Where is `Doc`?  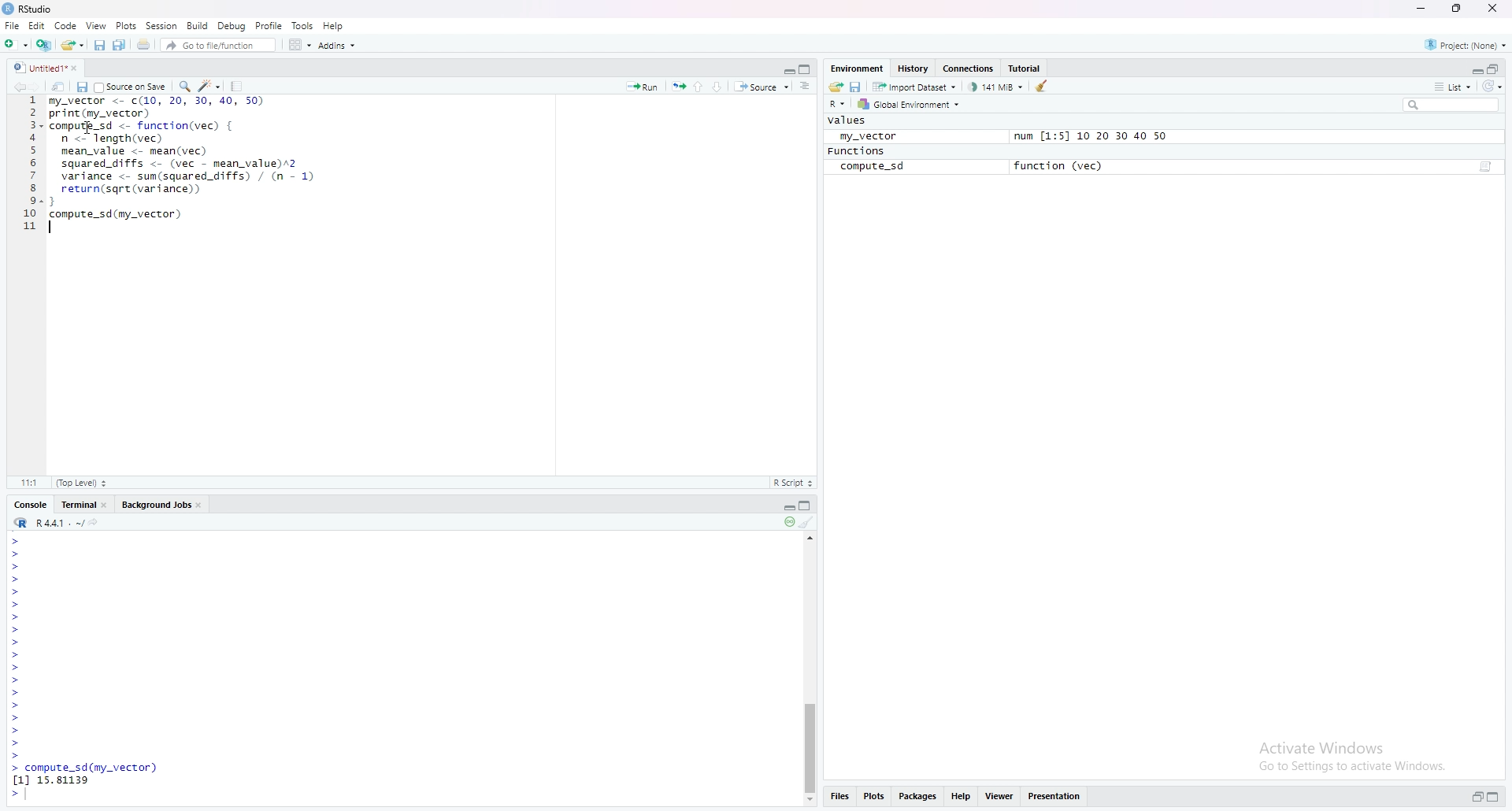
Doc is located at coordinates (1484, 168).